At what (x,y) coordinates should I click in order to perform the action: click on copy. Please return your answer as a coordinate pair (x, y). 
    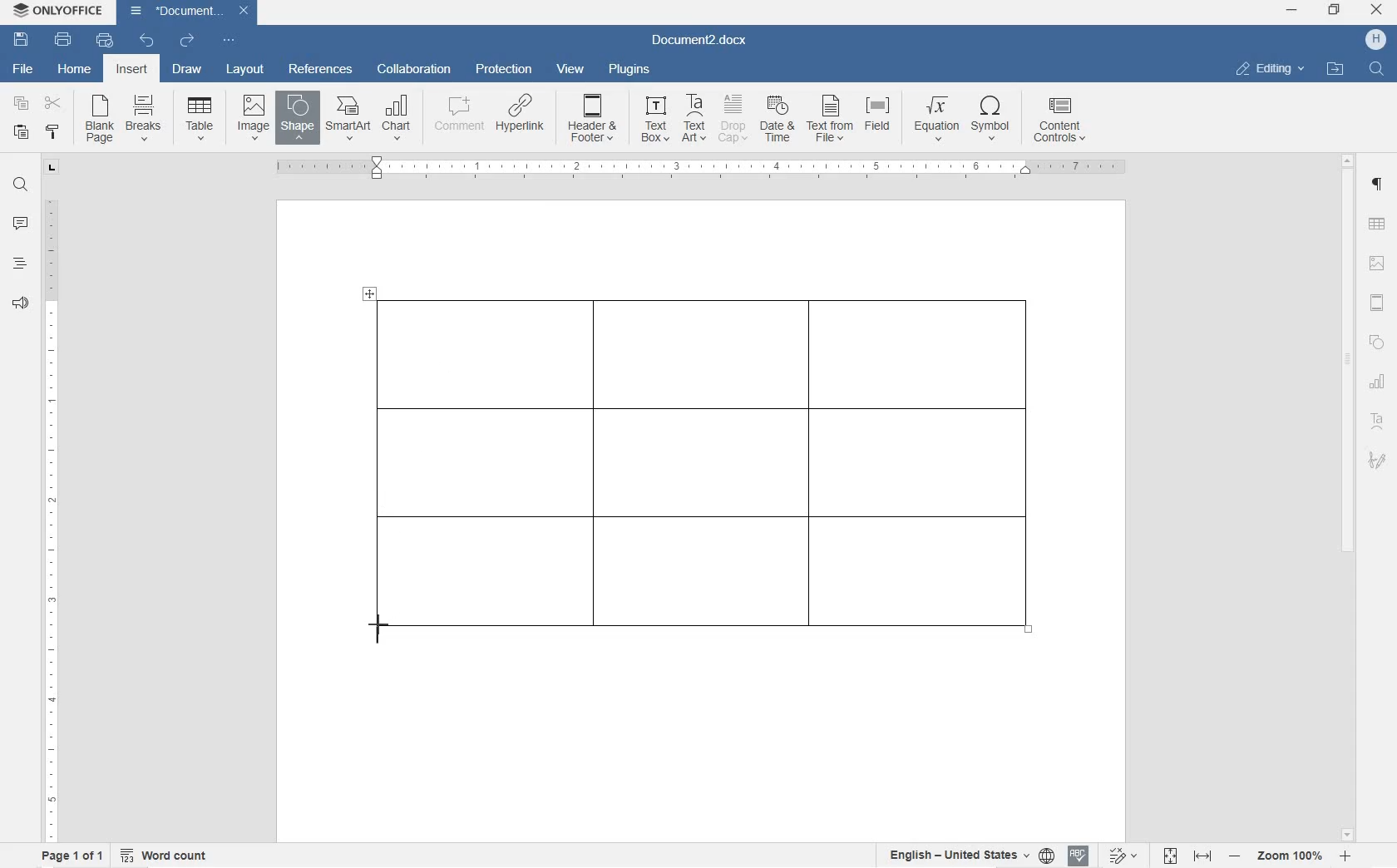
    Looking at the image, I should click on (22, 106).